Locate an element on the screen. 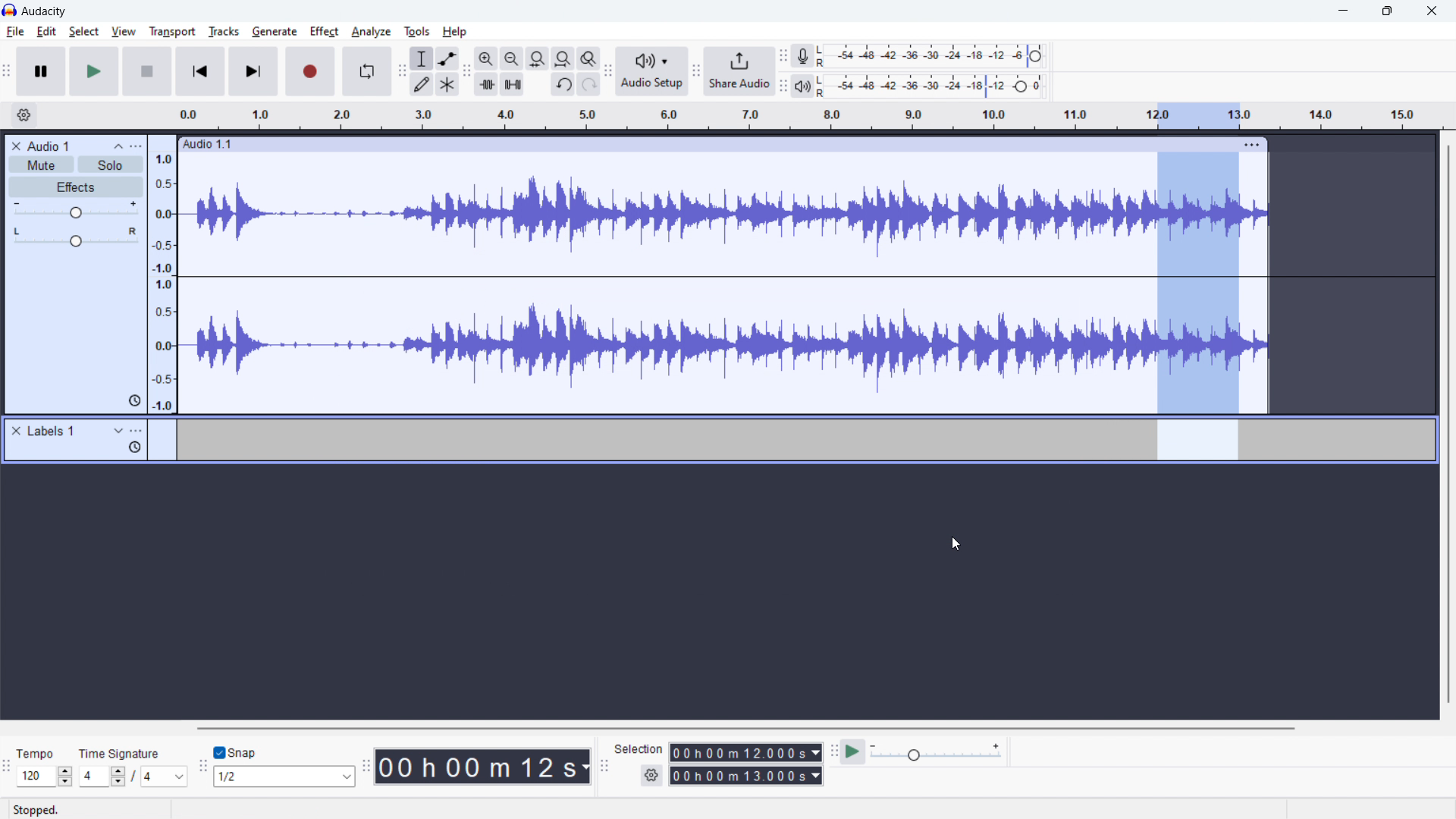  set project to width is located at coordinates (563, 58).